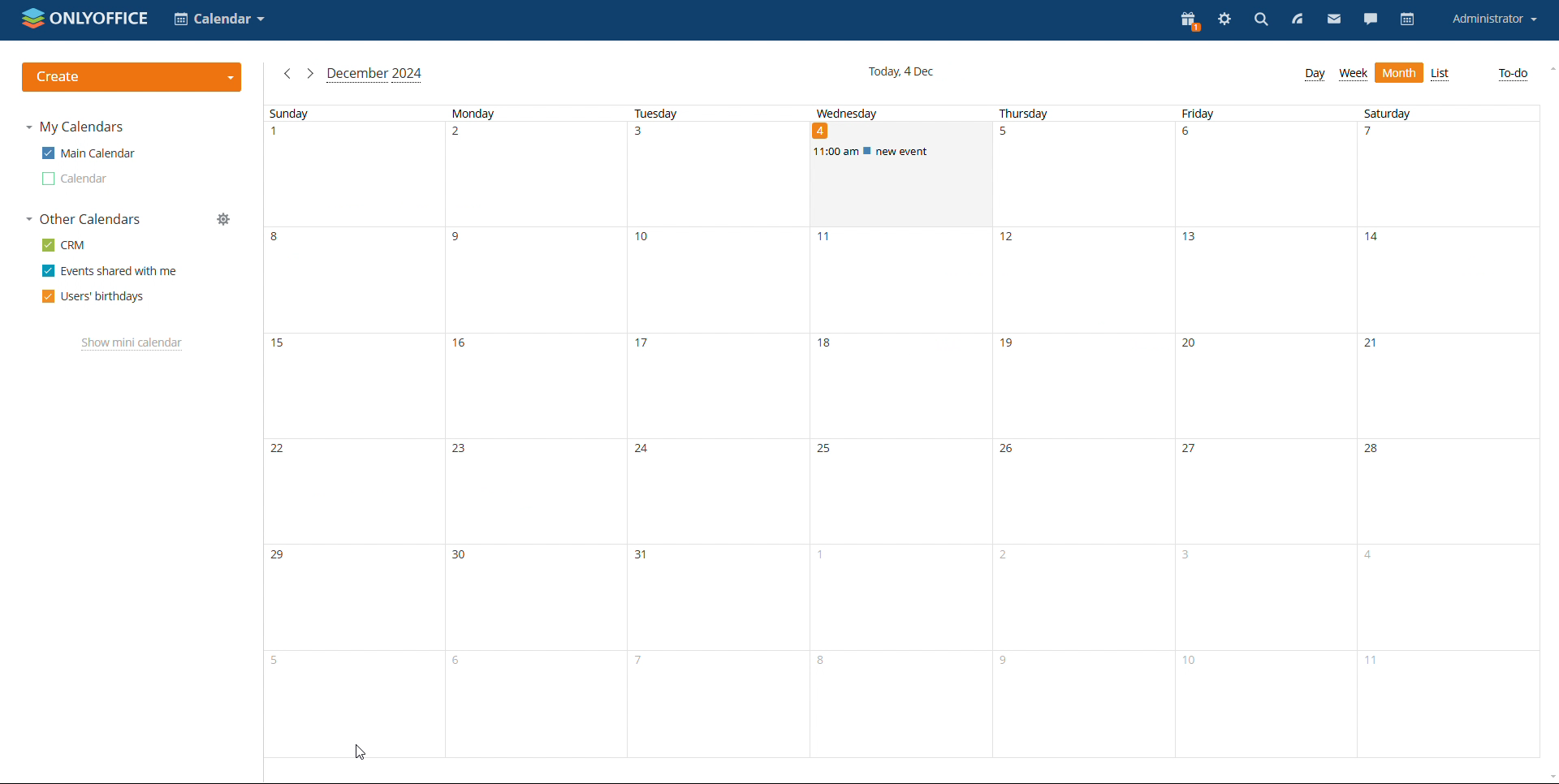  Describe the element at coordinates (1549, 776) in the screenshot. I see `scroll down` at that location.